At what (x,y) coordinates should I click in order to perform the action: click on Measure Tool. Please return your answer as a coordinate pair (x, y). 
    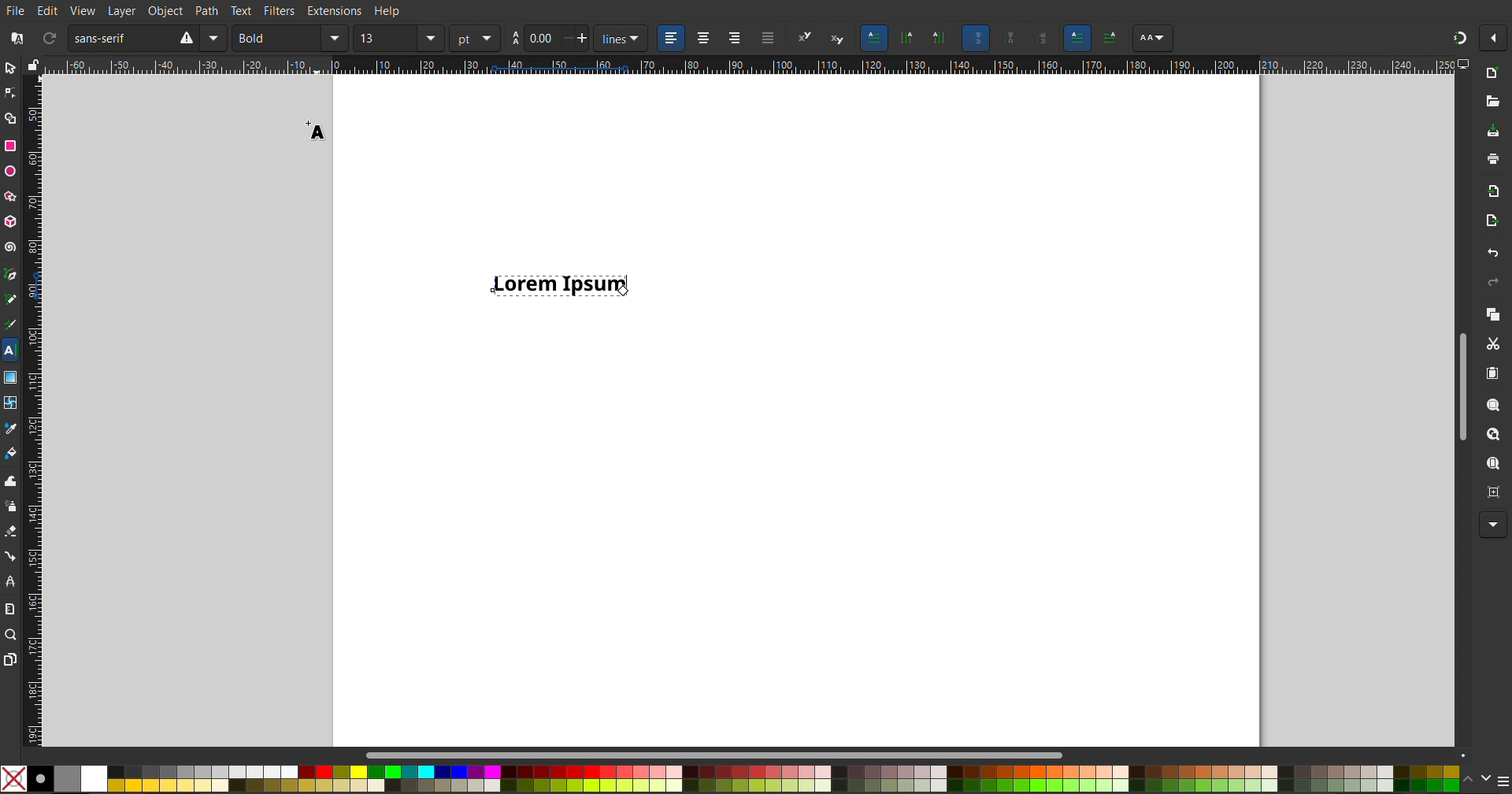
    Looking at the image, I should click on (11, 608).